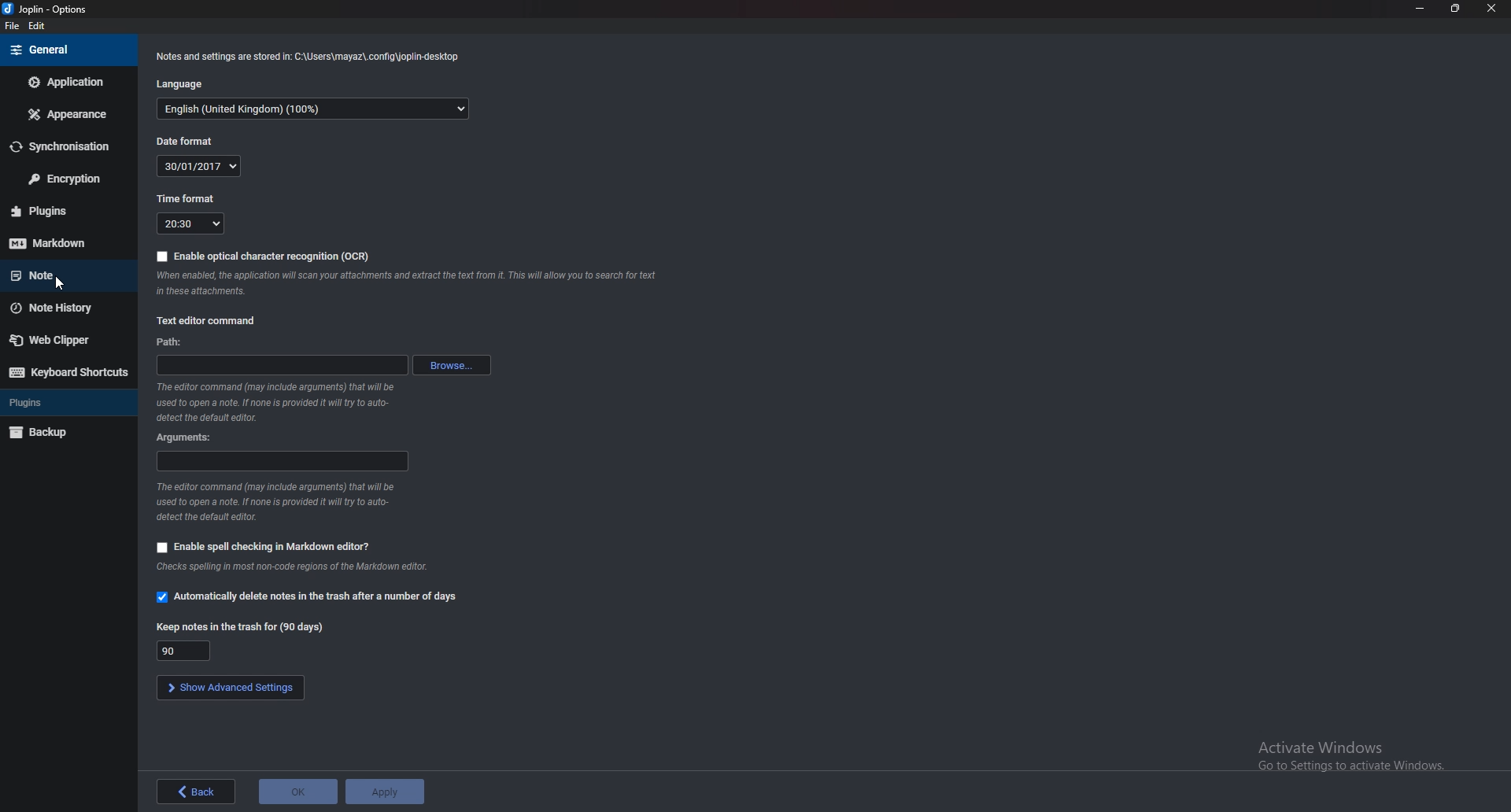 Image resolution: width=1511 pixels, height=812 pixels. What do you see at coordinates (410, 282) in the screenshot?
I see `Info` at bounding box center [410, 282].